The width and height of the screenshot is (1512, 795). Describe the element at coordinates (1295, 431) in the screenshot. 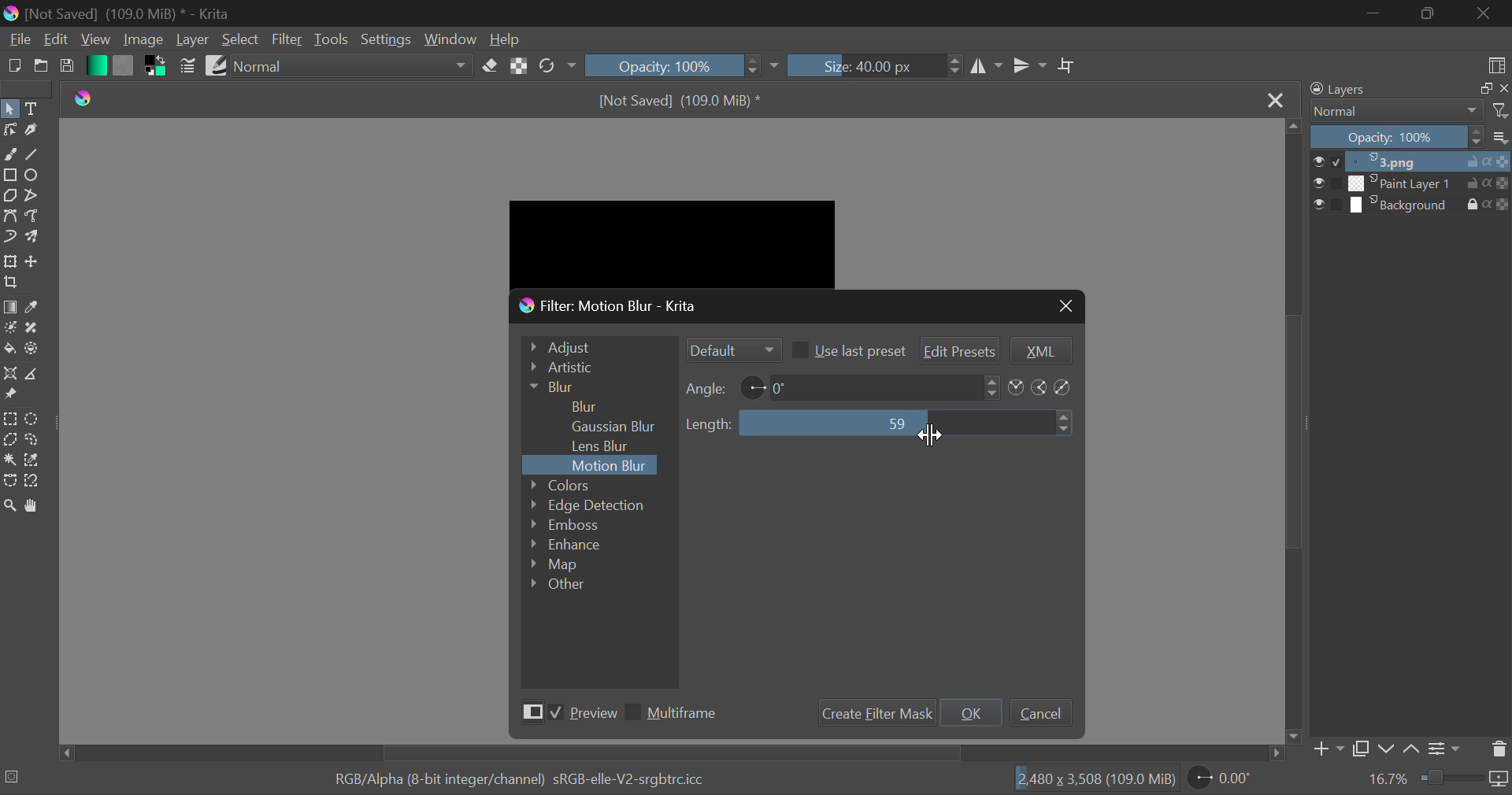

I see `Scroll Bar` at that location.